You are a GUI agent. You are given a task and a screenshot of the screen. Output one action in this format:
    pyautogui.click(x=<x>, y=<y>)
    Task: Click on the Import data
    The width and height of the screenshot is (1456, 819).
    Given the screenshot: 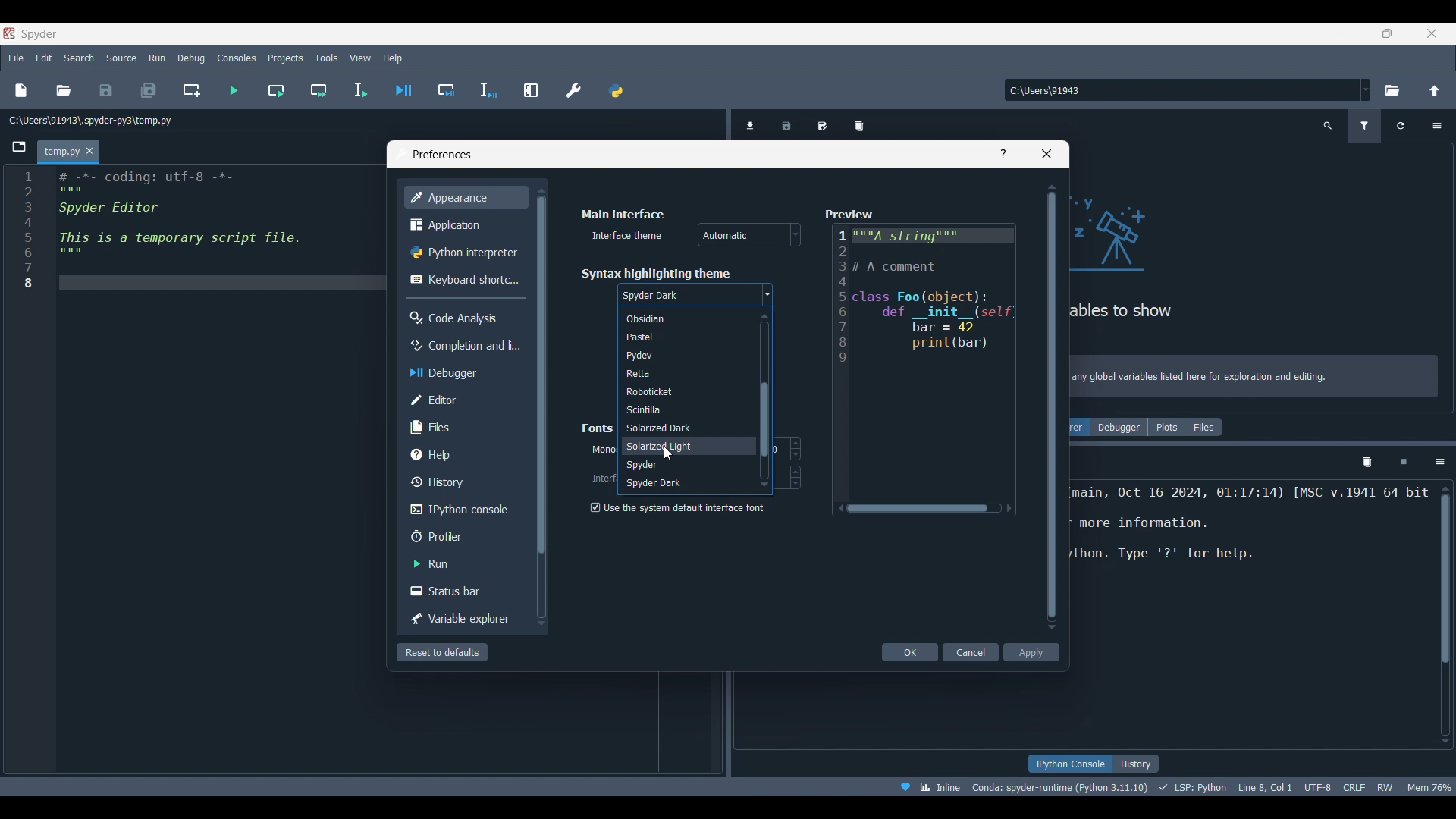 What is the action you would take?
    pyautogui.click(x=752, y=125)
    